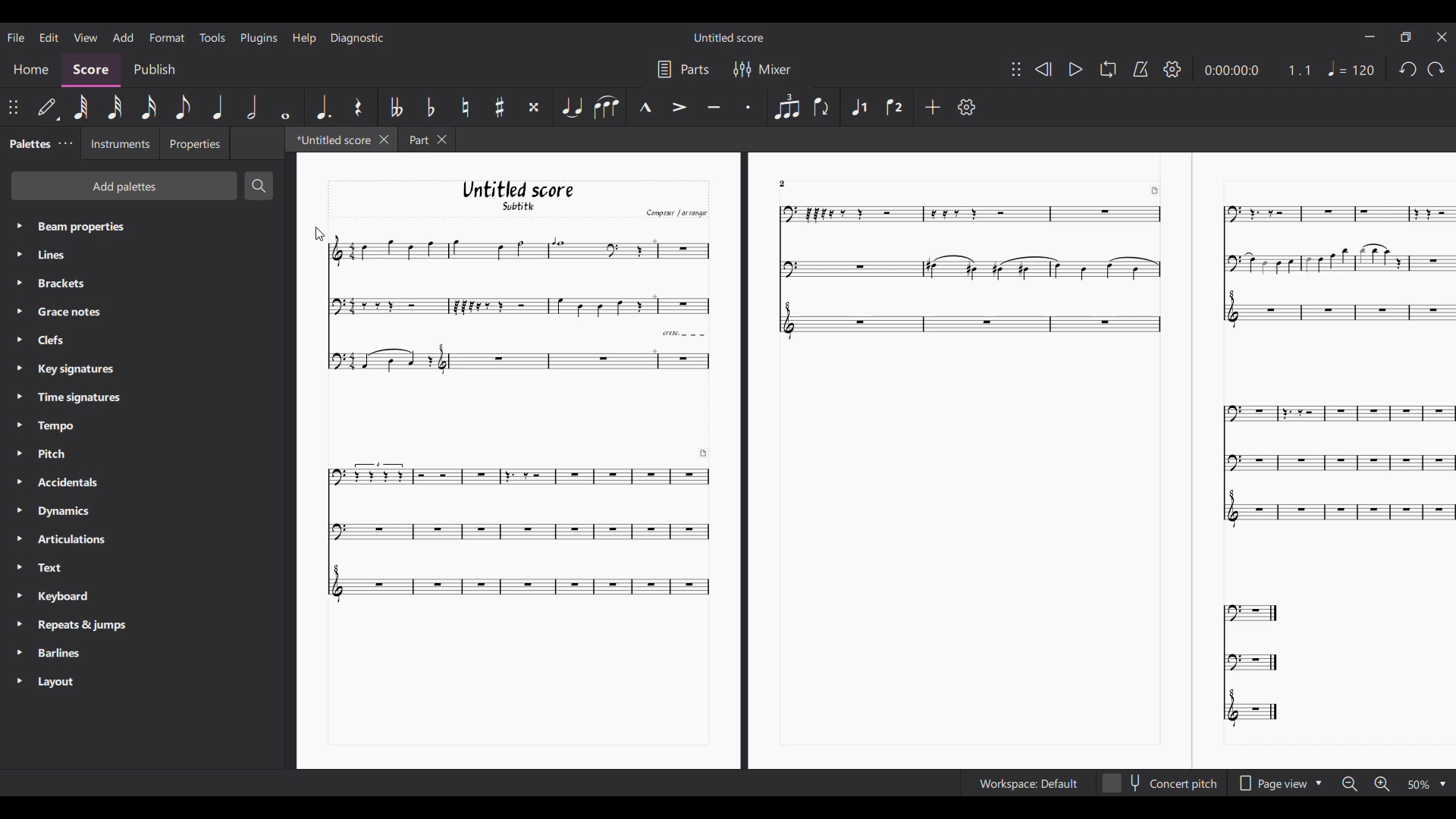 Image resolution: width=1456 pixels, height=819 pixels. I want to click on , so click(16, 485).